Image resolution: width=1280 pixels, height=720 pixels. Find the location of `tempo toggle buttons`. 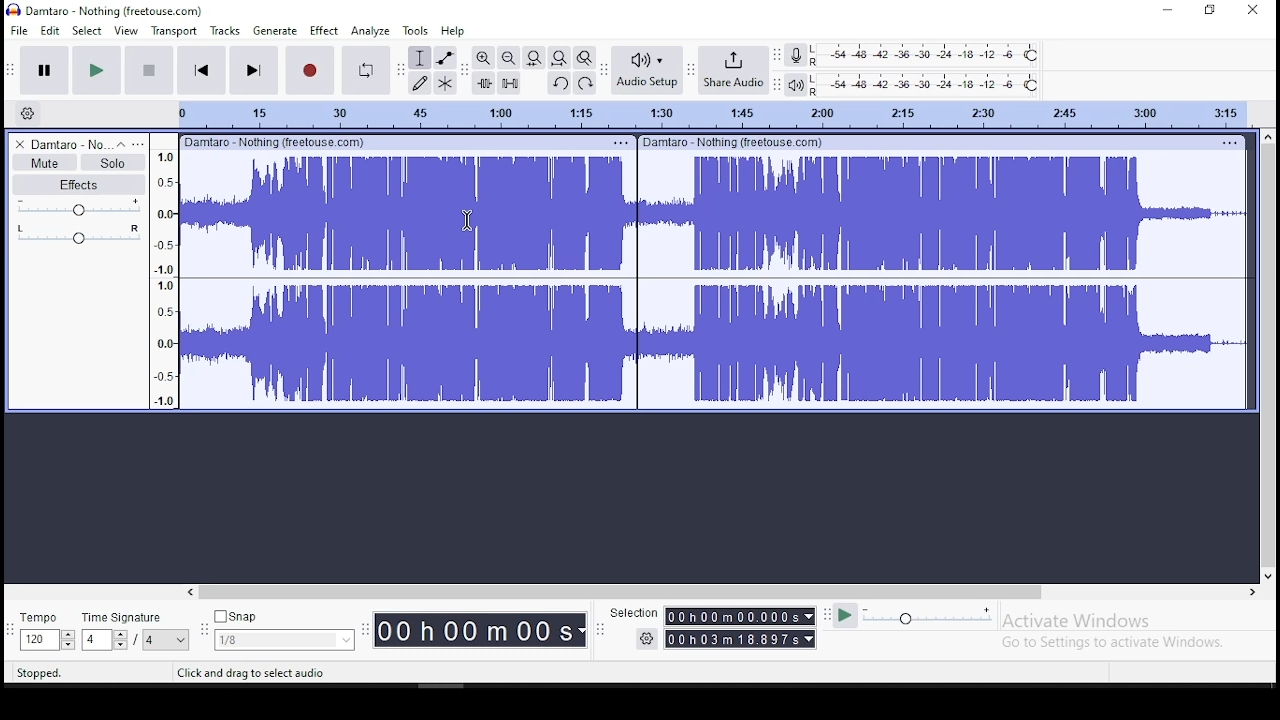

tempo toggle buttons is located at coordinates (48, 640).